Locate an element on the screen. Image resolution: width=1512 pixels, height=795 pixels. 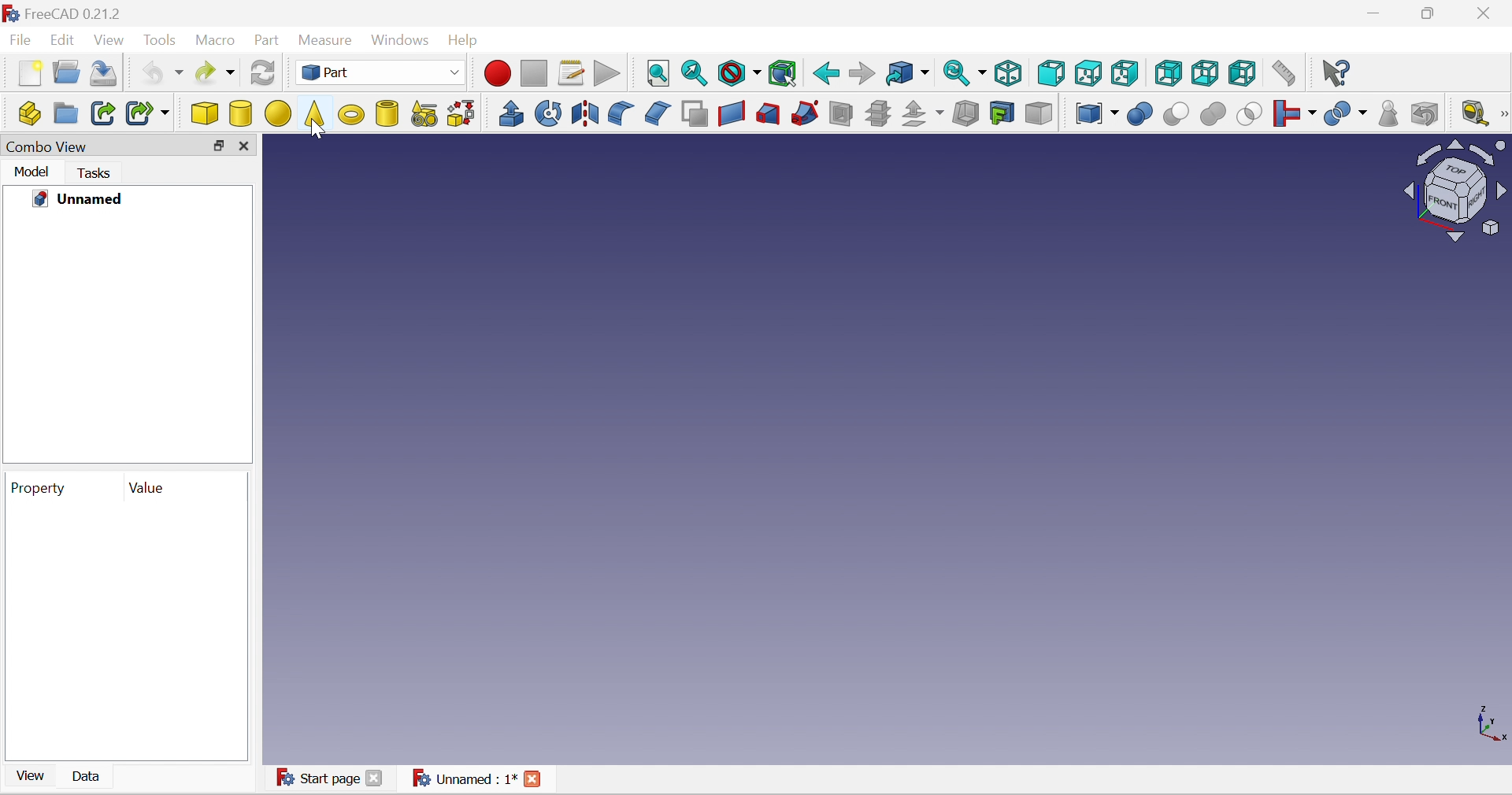
Thickness is located at coordinates (964, 113).